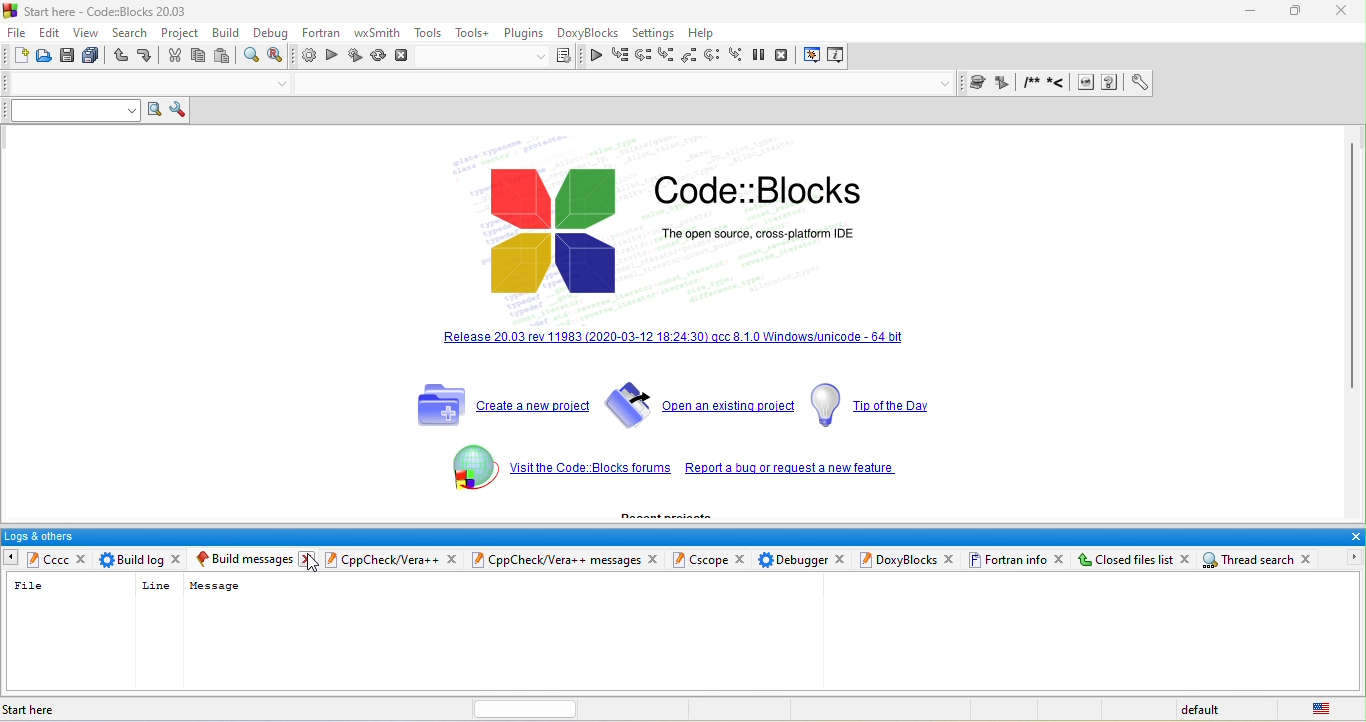 The width and height of the screenshot is (1366, 722). I want to click on drop down, so click(946, 83).